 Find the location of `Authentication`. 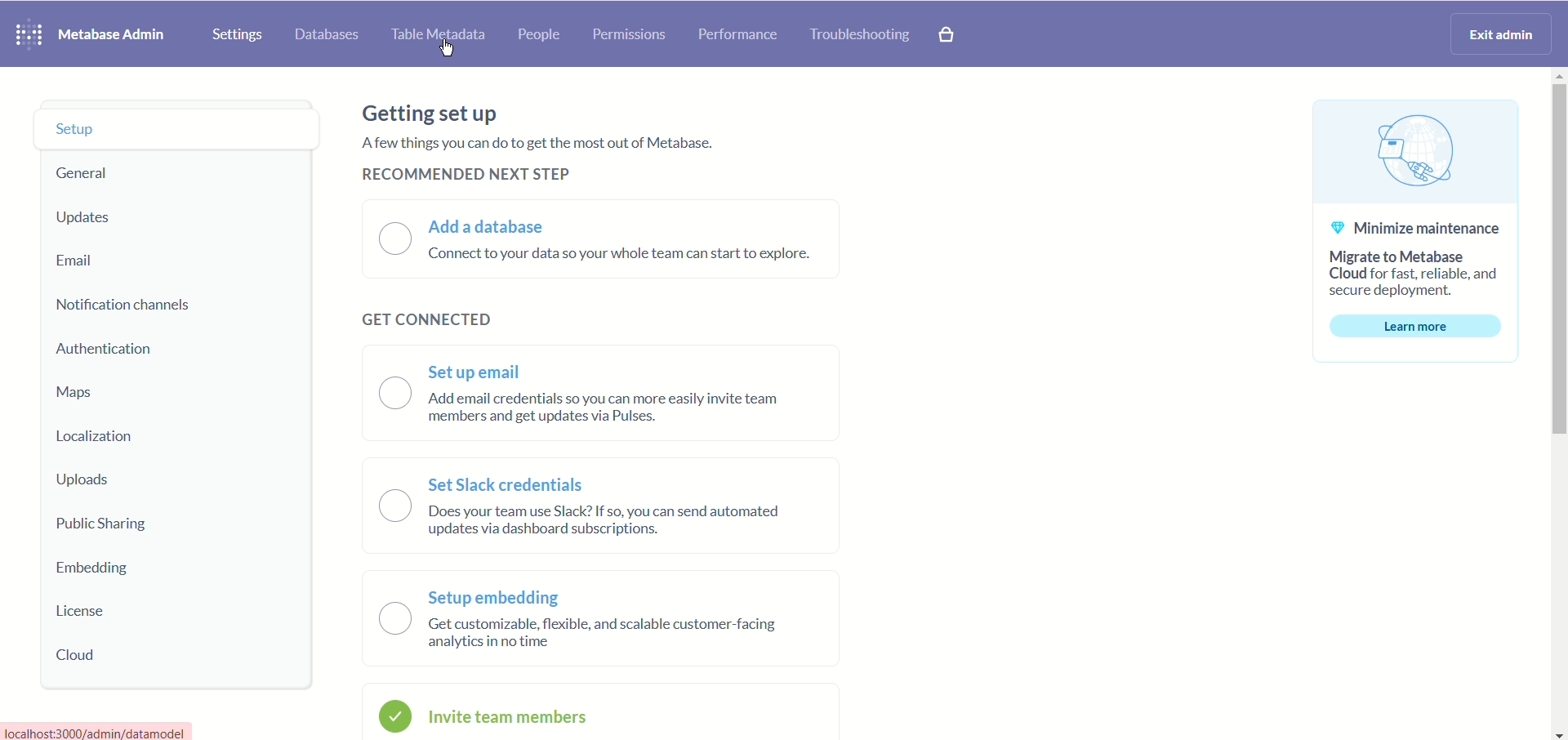

Authentication is located at coordinates (134, 345).